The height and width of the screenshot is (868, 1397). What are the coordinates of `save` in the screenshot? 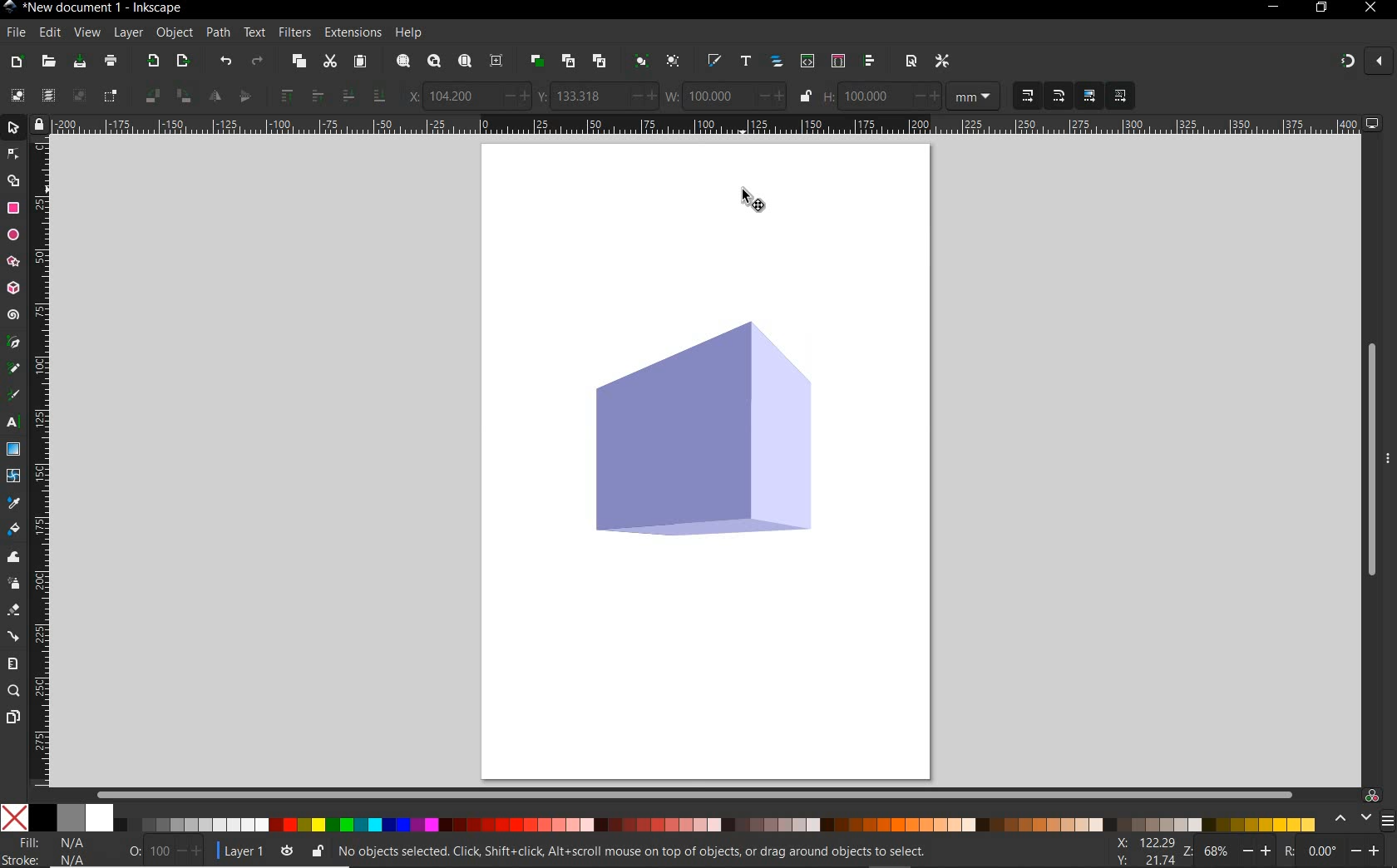 It's located at (79, 61).